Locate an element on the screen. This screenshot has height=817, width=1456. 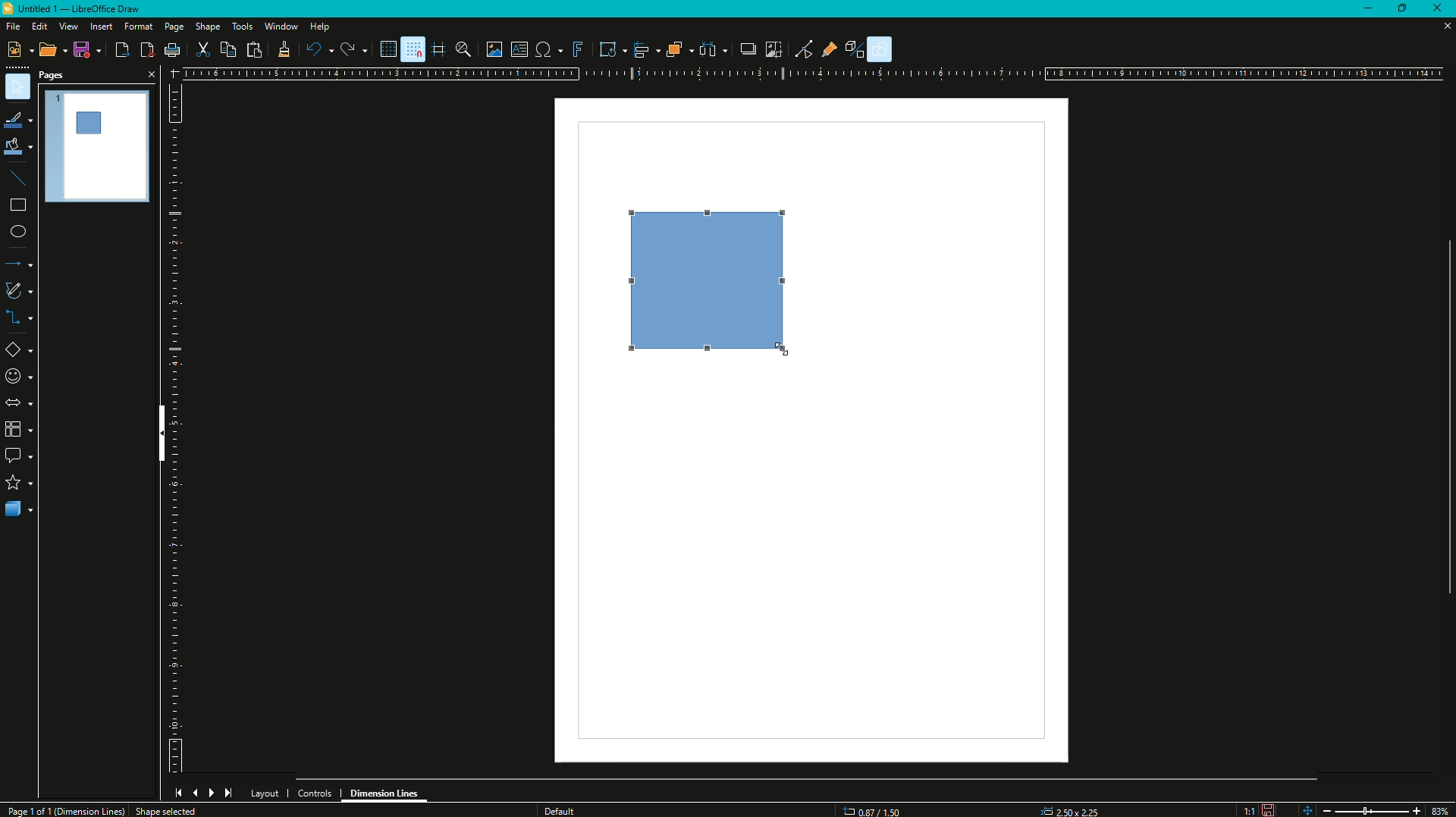
Shape is located at coordinates (208, 28).